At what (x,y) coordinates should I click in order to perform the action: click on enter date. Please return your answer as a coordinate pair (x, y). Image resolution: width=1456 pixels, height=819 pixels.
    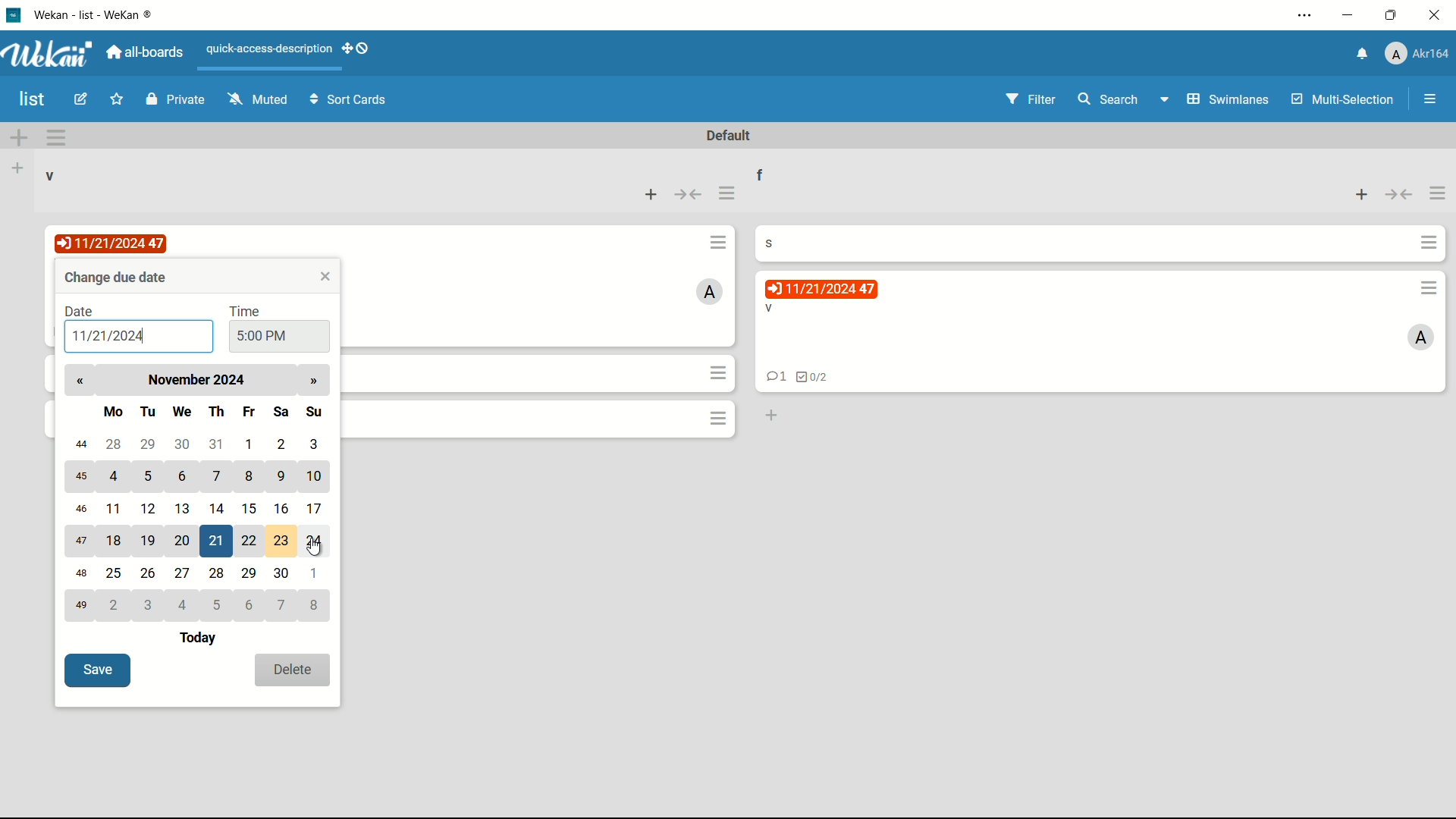
    Looking at the image, I should click on (108, 337).